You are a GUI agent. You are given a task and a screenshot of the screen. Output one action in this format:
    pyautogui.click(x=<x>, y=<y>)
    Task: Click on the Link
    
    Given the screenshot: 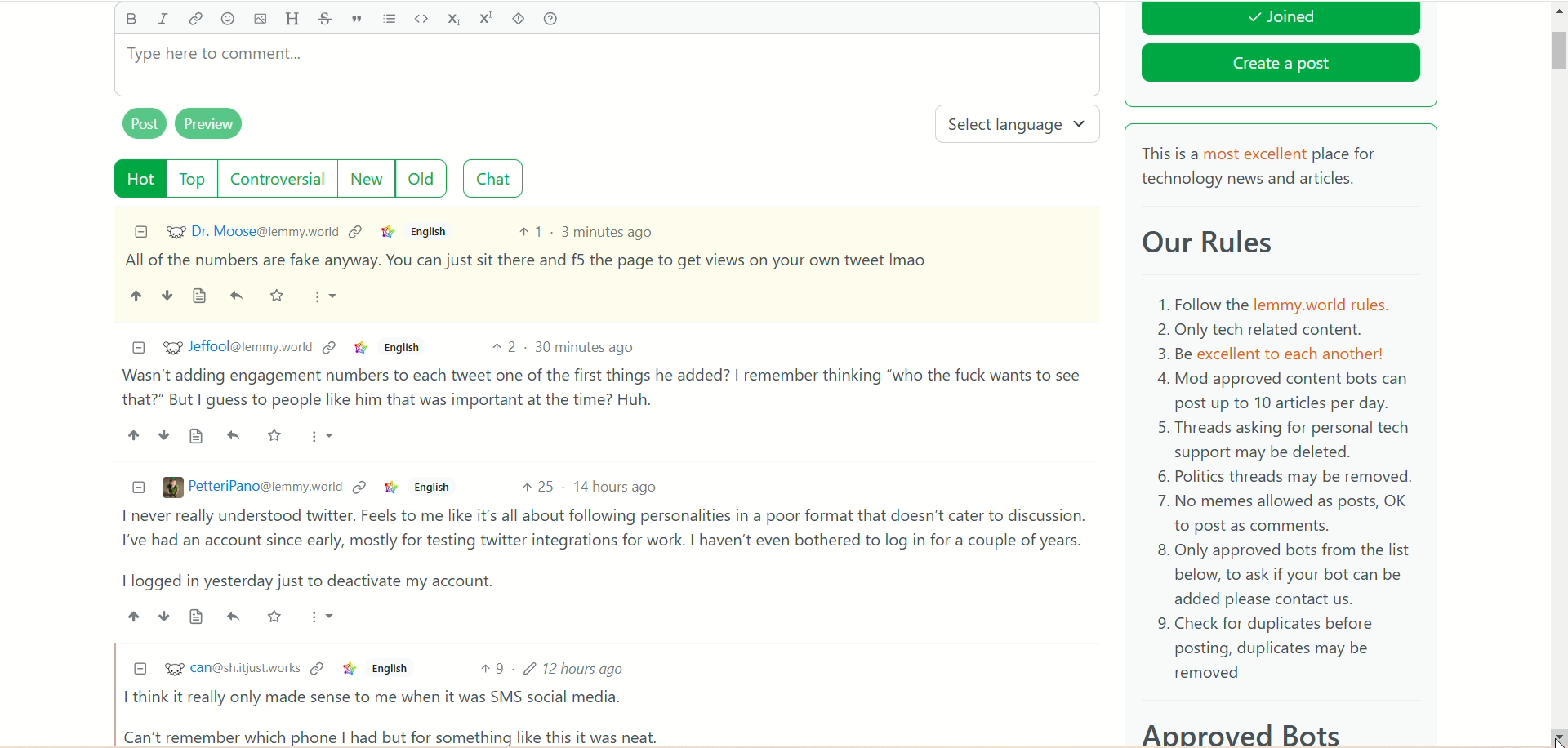 What is the action you would take?
    pyautogui.click(x=360, y=488)
    